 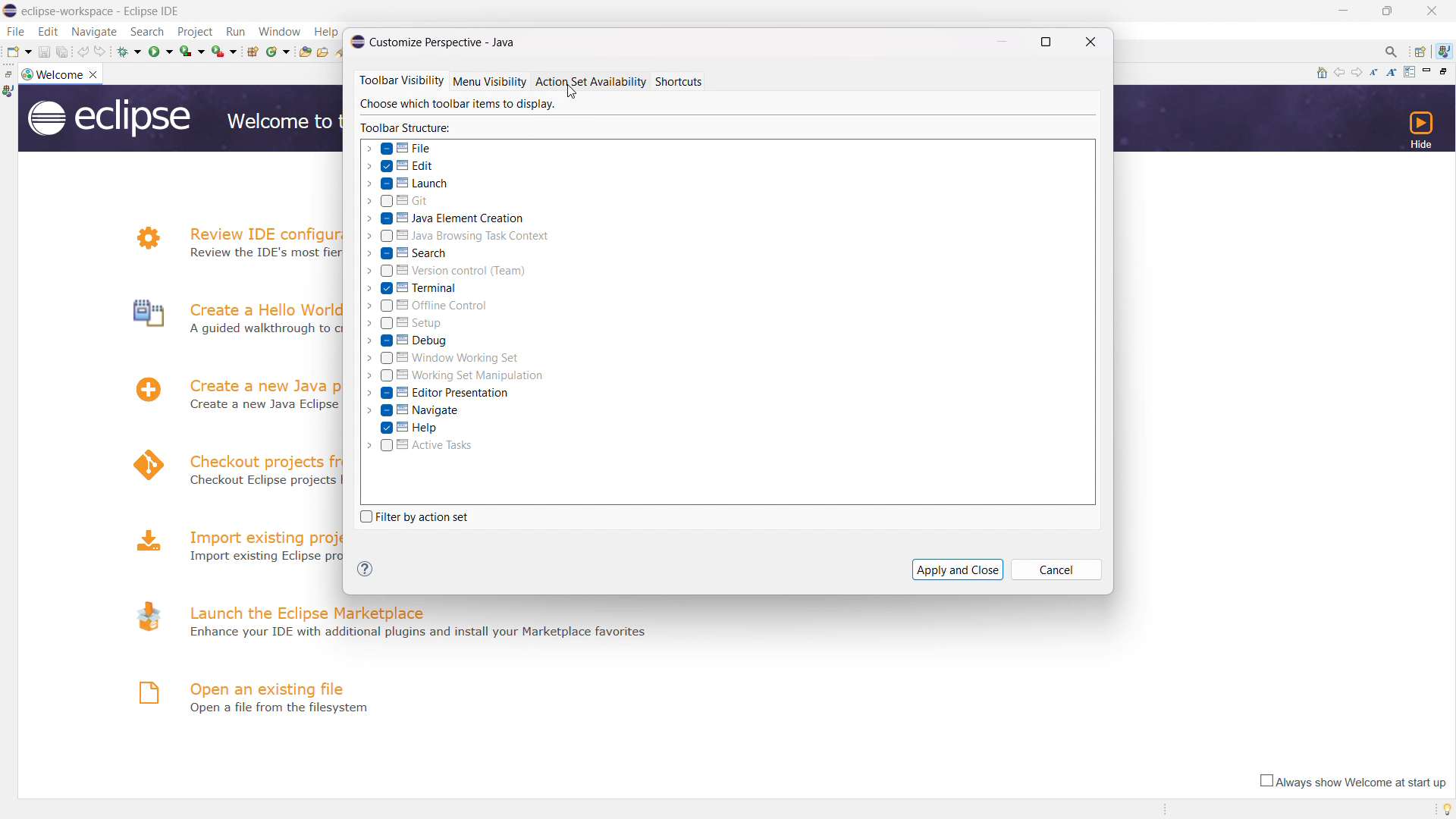 What do you see at coordinates (95, 32) in the screenshot?
I see `navigate` at bounding box center [95, 32].